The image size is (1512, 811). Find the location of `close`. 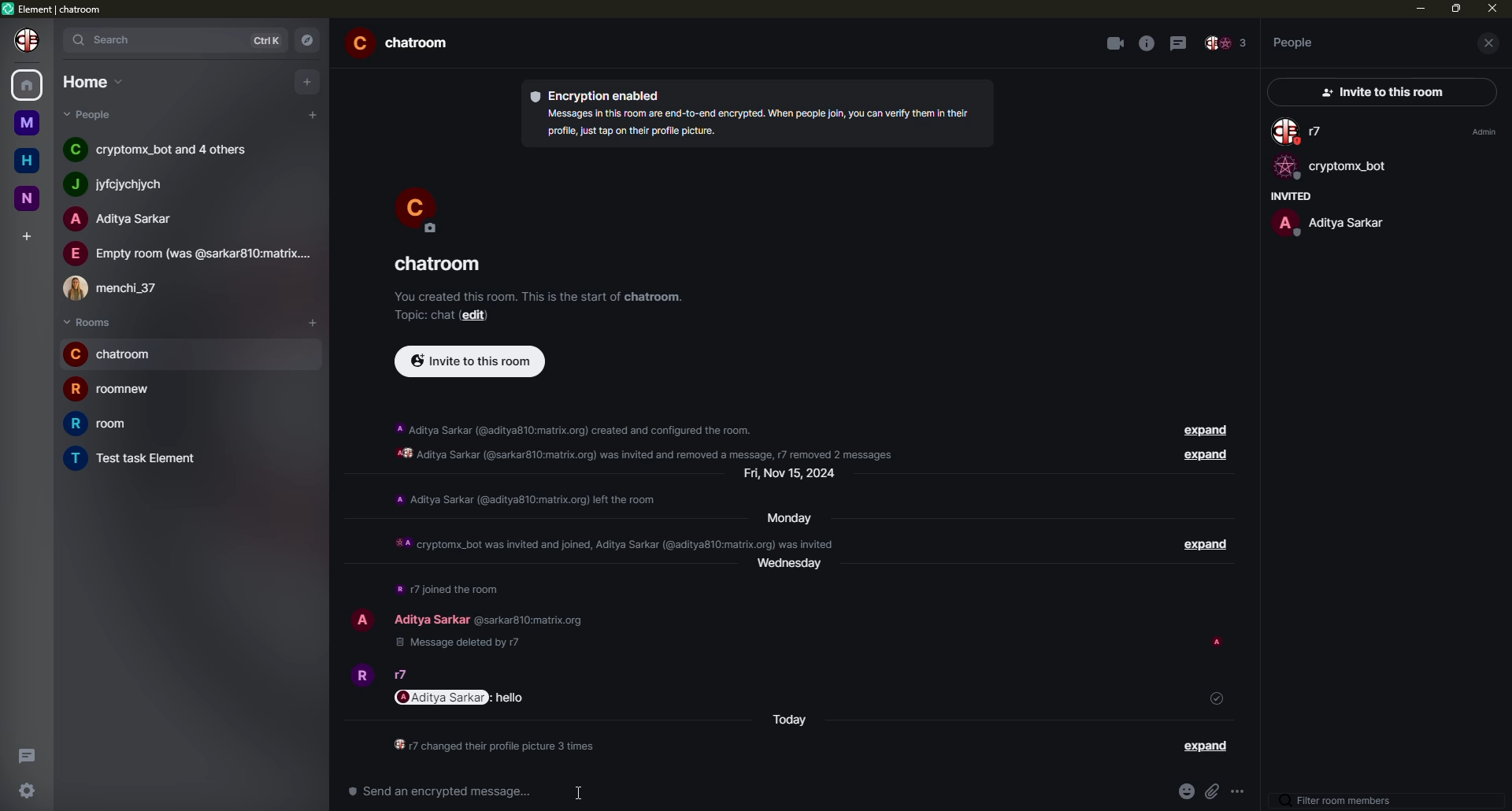

close is located at coordinates (1492, 9).